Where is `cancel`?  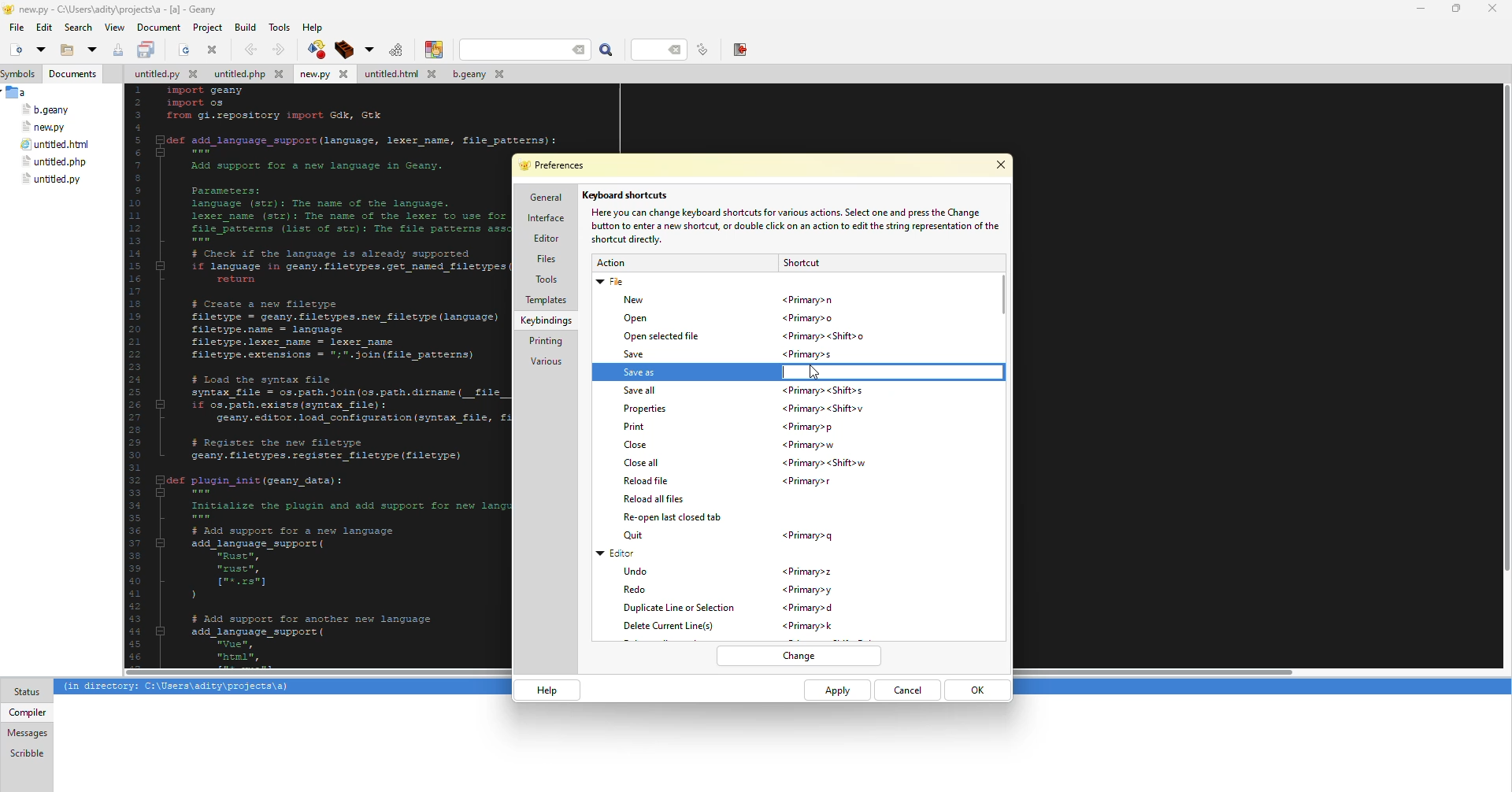 cancel is located at coordinates (908, 690).